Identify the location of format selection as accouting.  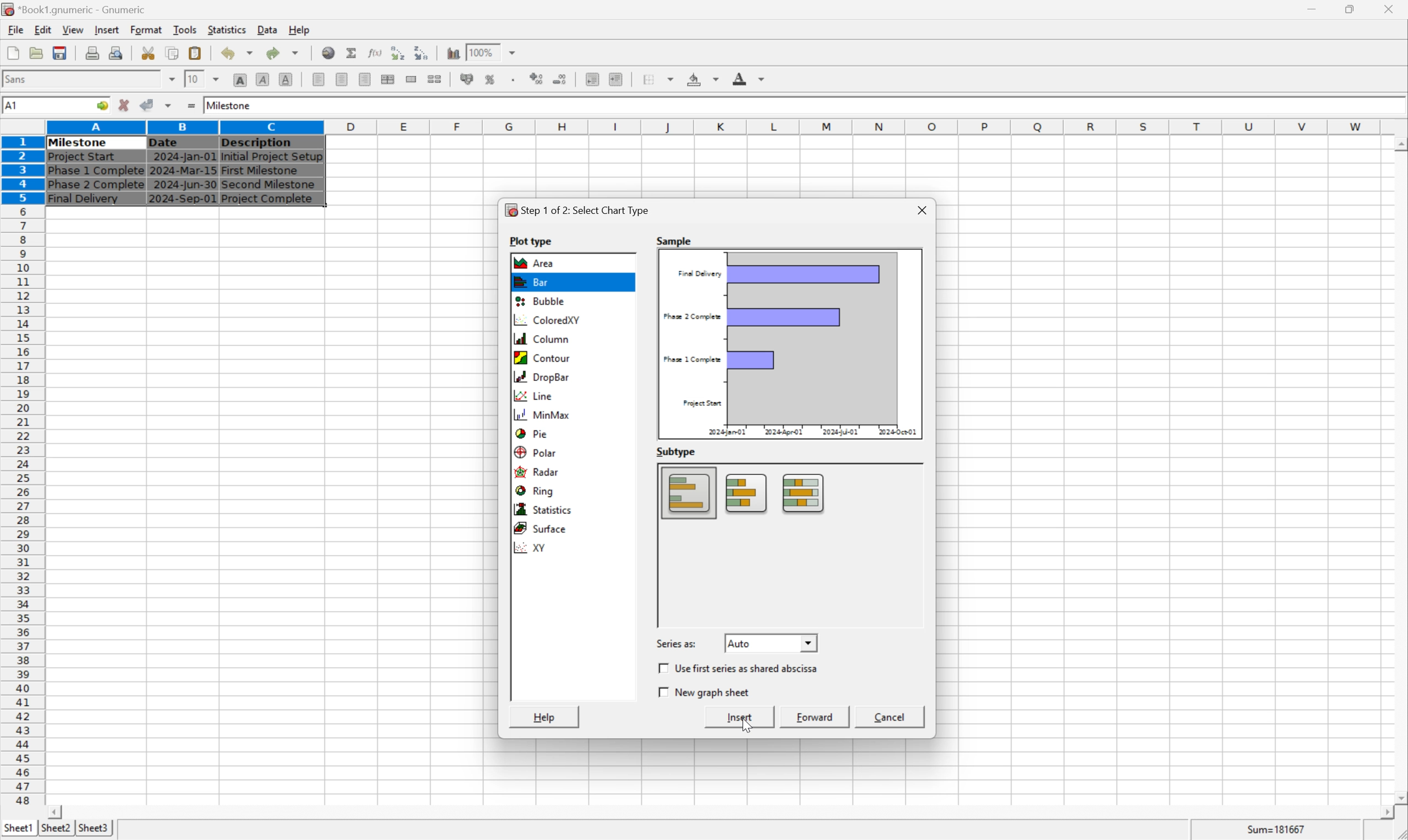
(468, 79).